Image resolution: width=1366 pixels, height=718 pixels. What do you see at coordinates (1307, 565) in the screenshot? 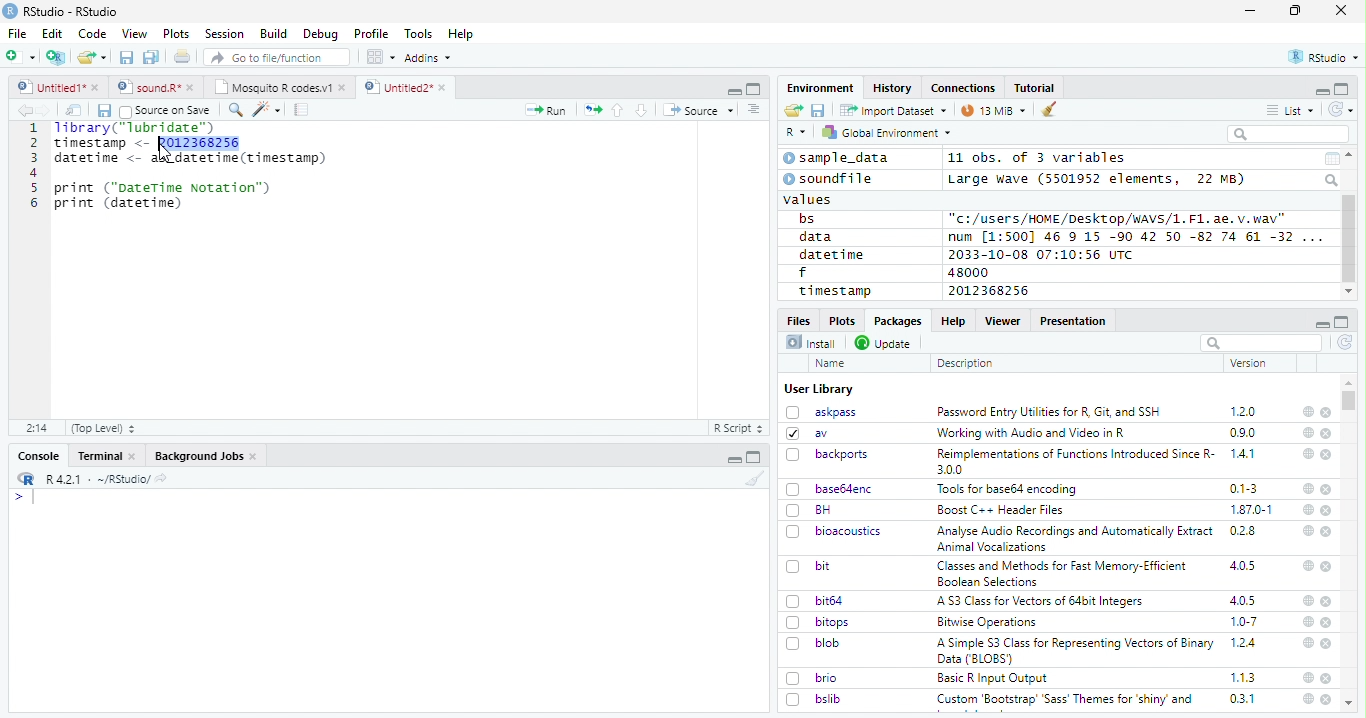
I see `help` at bounding box center [1307, 565].